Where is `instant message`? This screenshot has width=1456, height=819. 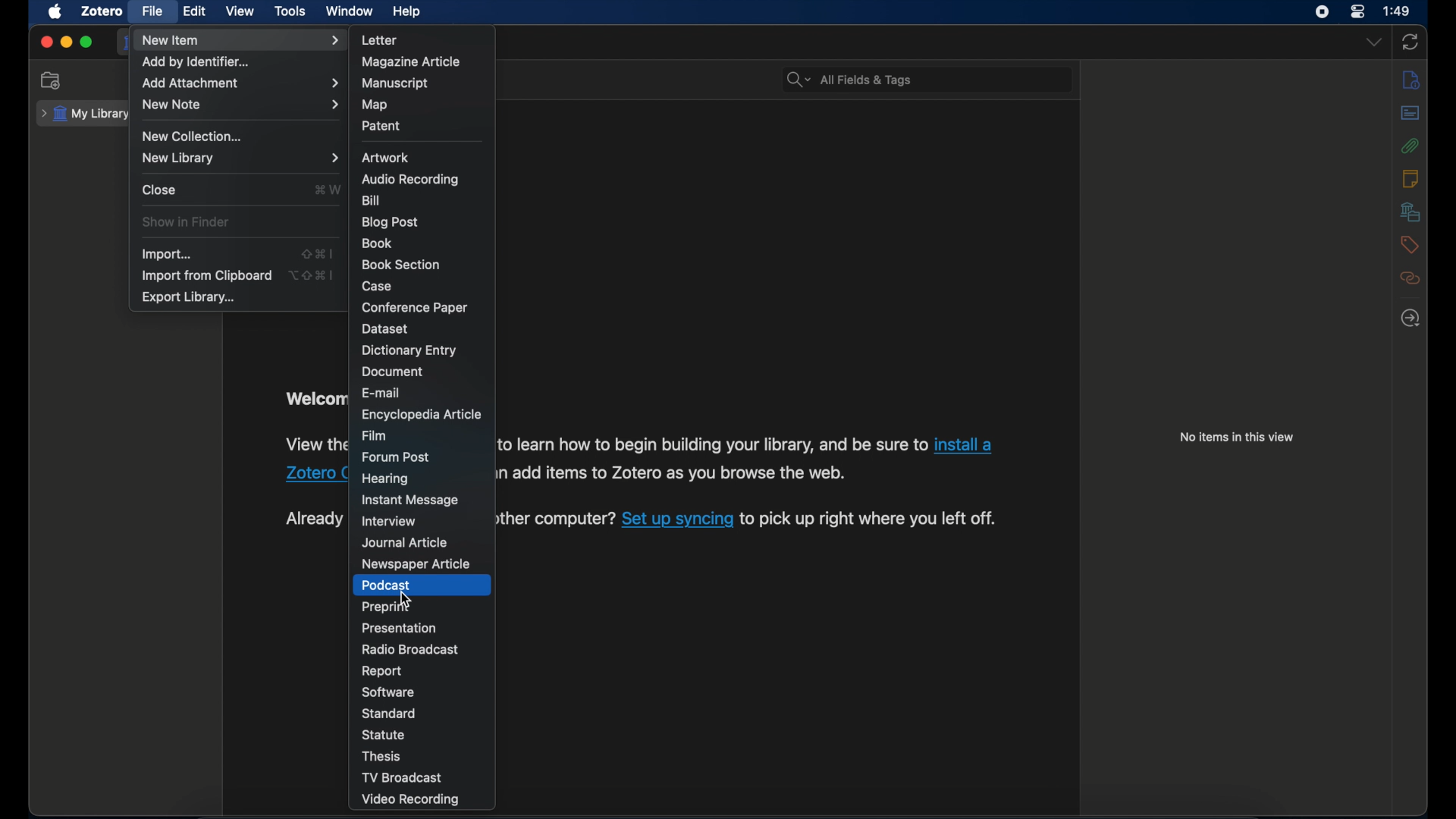 instant message is located at coordinates (410, 500).